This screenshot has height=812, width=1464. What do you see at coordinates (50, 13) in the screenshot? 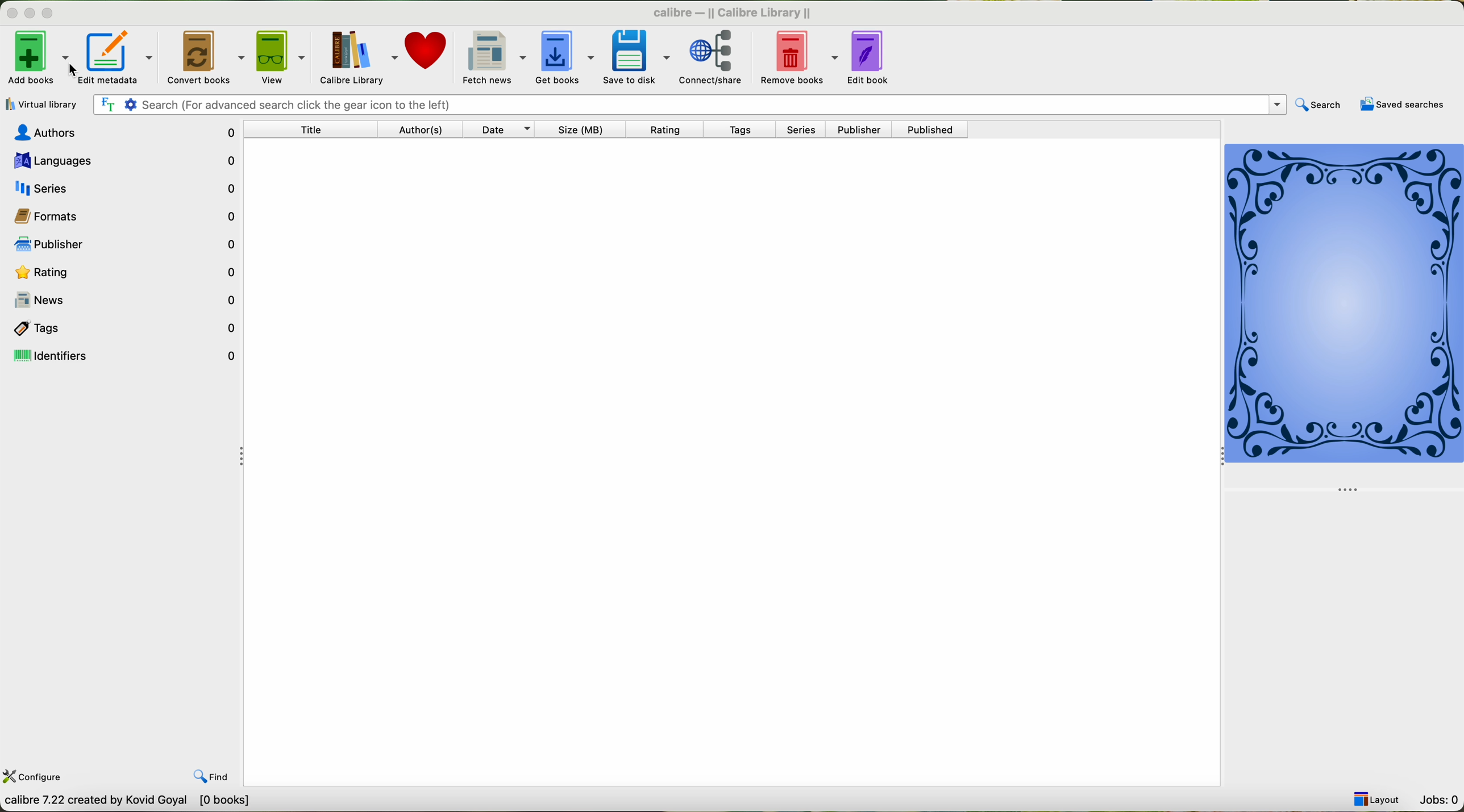
I see `maximize` at bounding box center [50, 13].